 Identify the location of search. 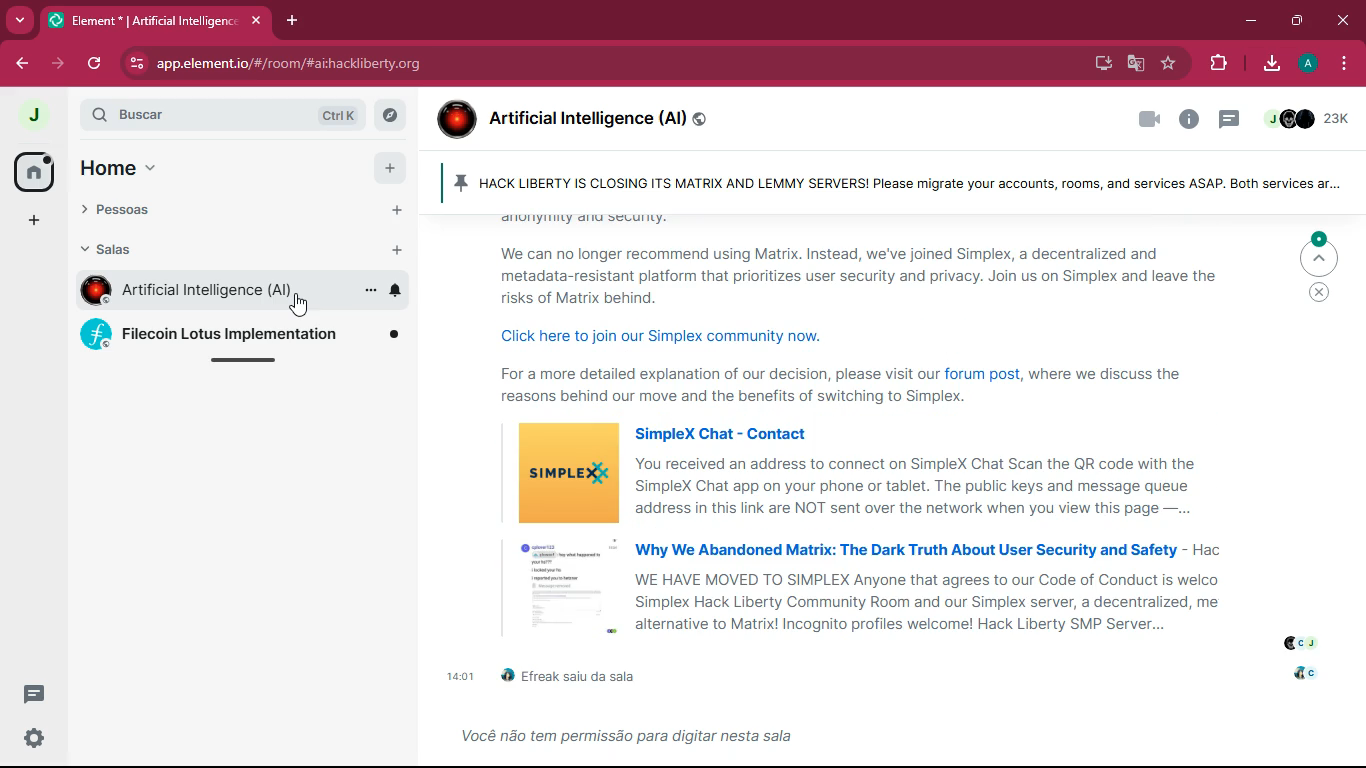
(160, 115).